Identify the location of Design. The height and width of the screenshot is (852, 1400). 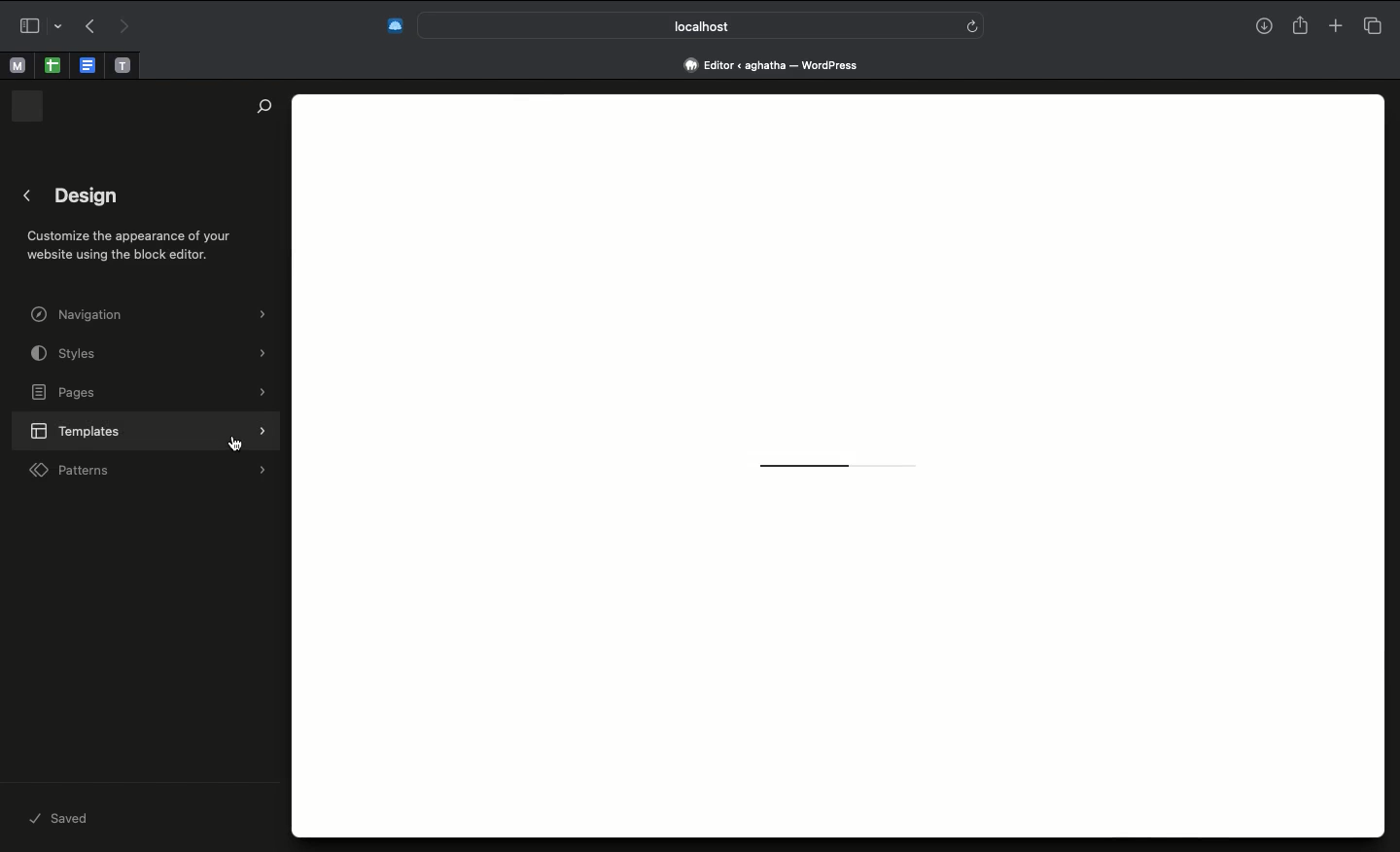
(141, 226).